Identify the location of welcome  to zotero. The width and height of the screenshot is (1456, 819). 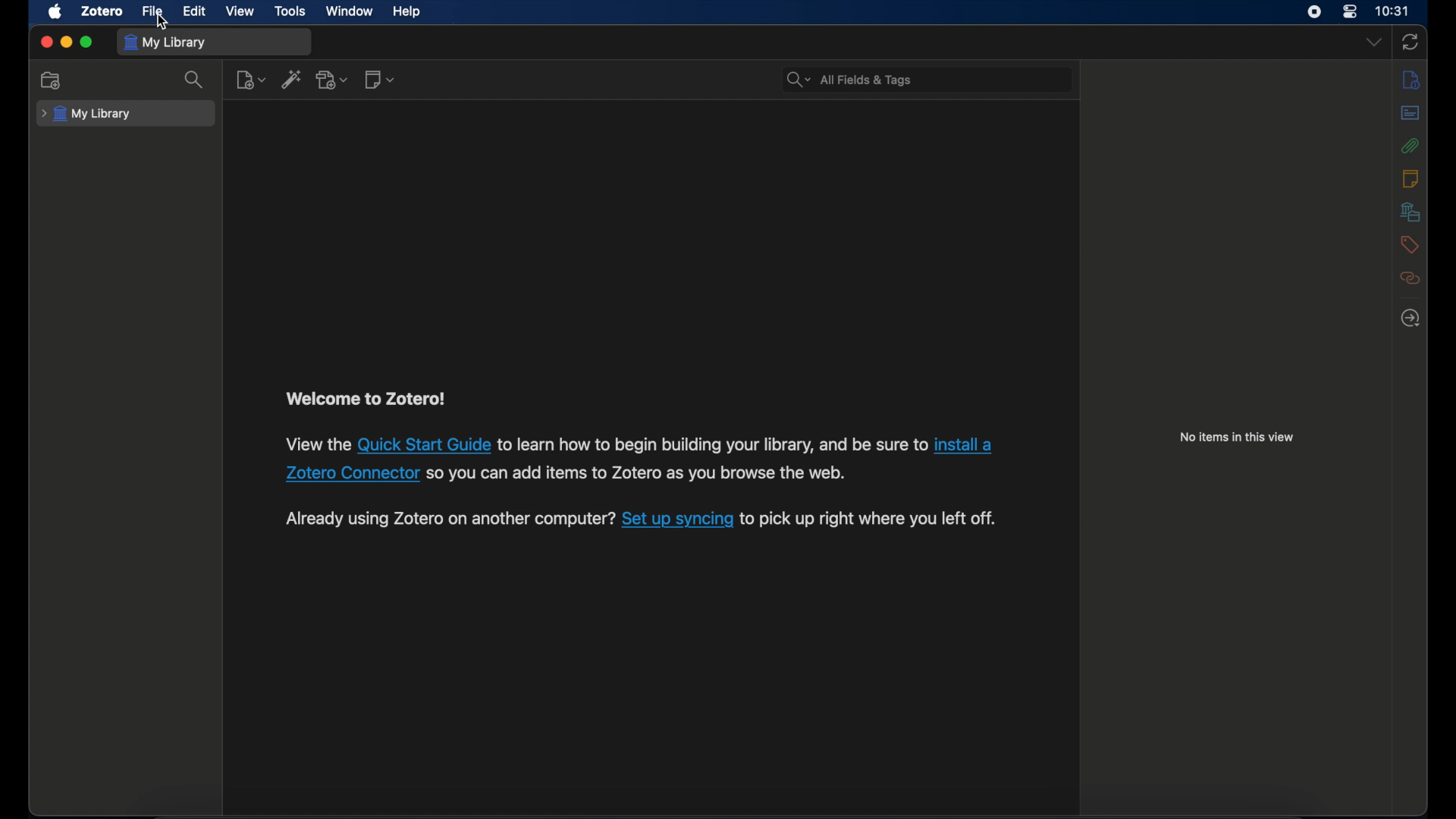
(364, 399).